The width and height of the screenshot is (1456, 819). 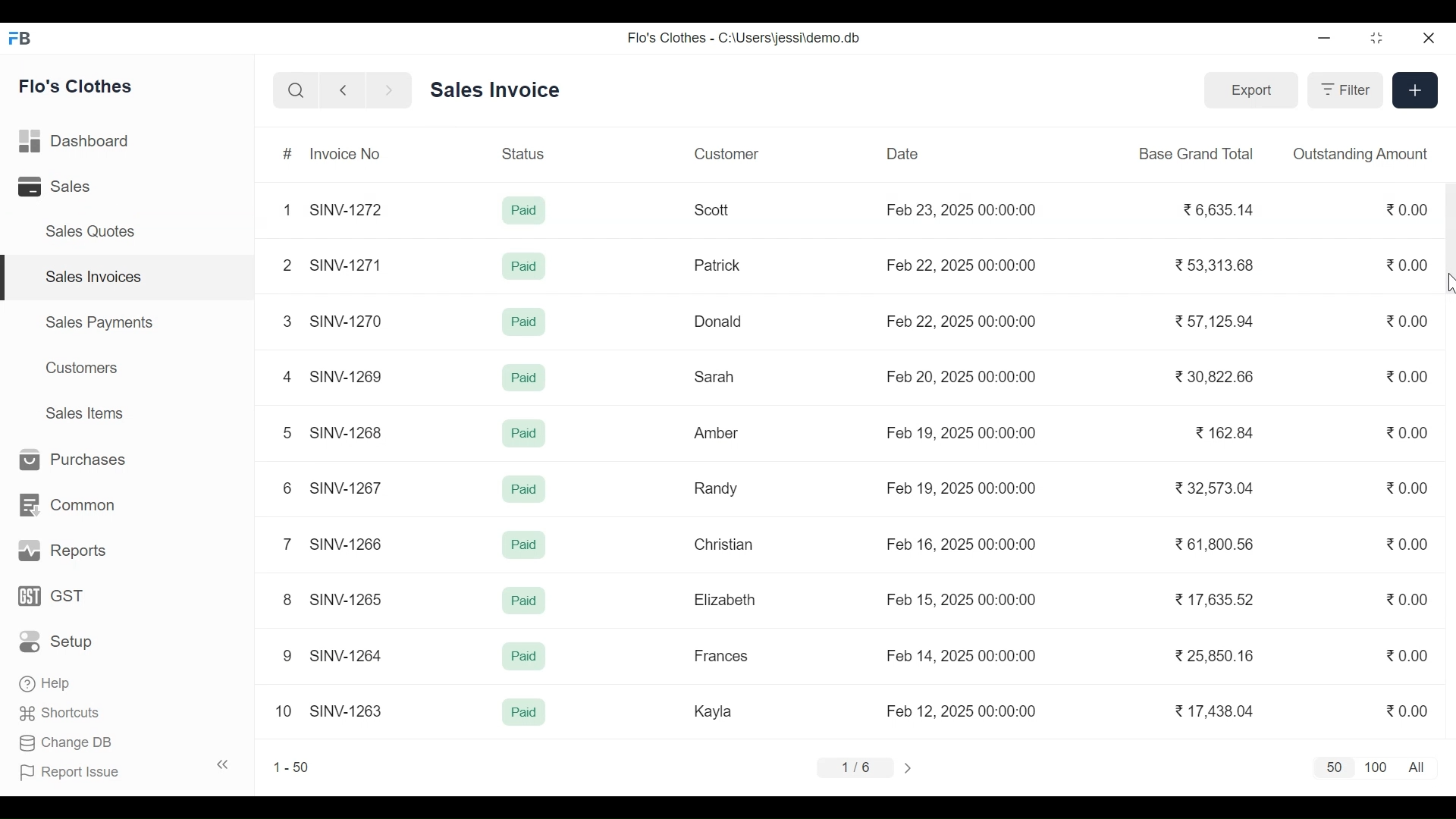 I want to click on Paid, so click(x=522, y=378).